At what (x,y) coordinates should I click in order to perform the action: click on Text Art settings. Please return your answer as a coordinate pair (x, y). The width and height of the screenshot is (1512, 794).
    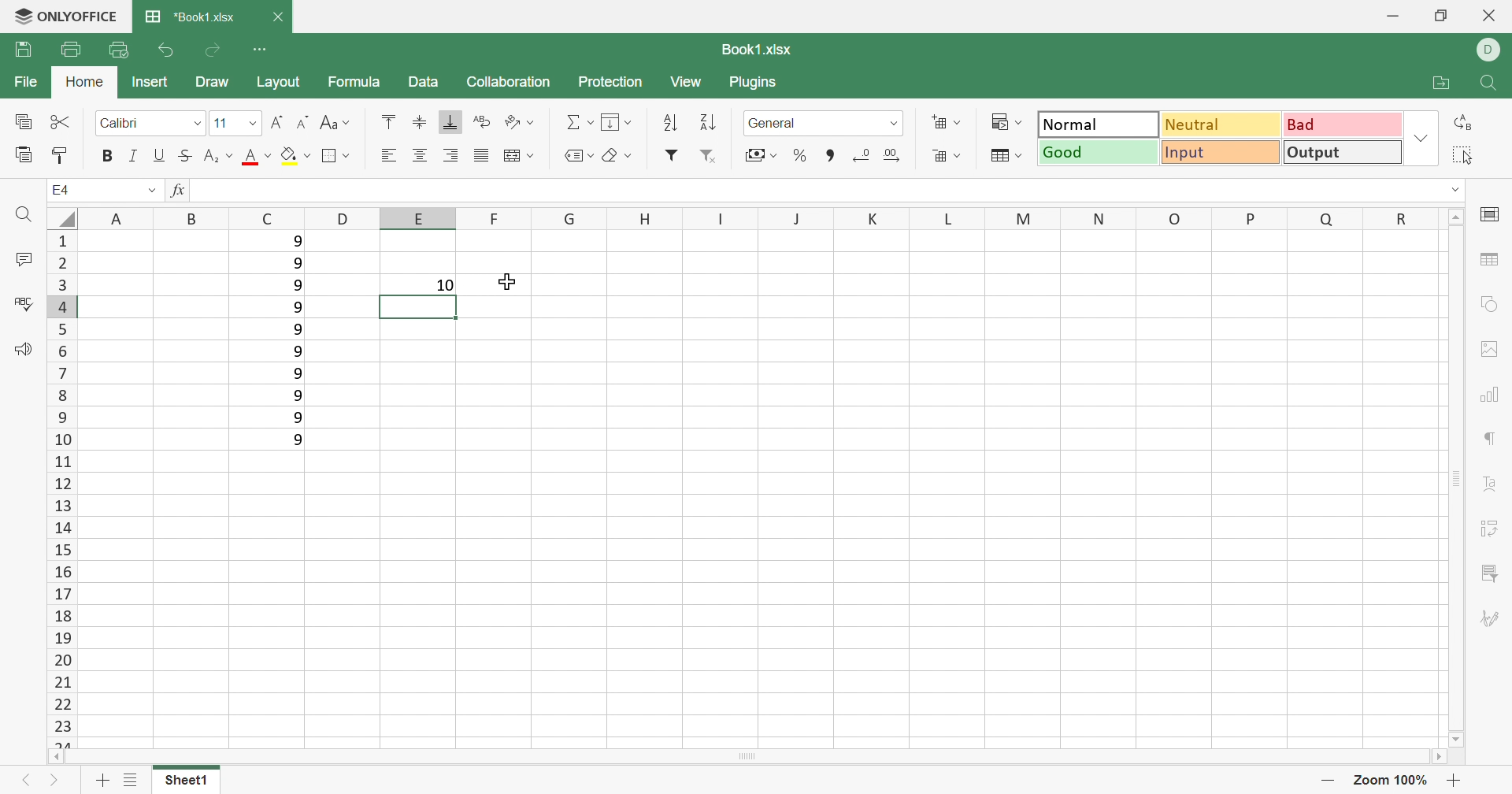
    Looking at the image, I should click on (1490, 484).